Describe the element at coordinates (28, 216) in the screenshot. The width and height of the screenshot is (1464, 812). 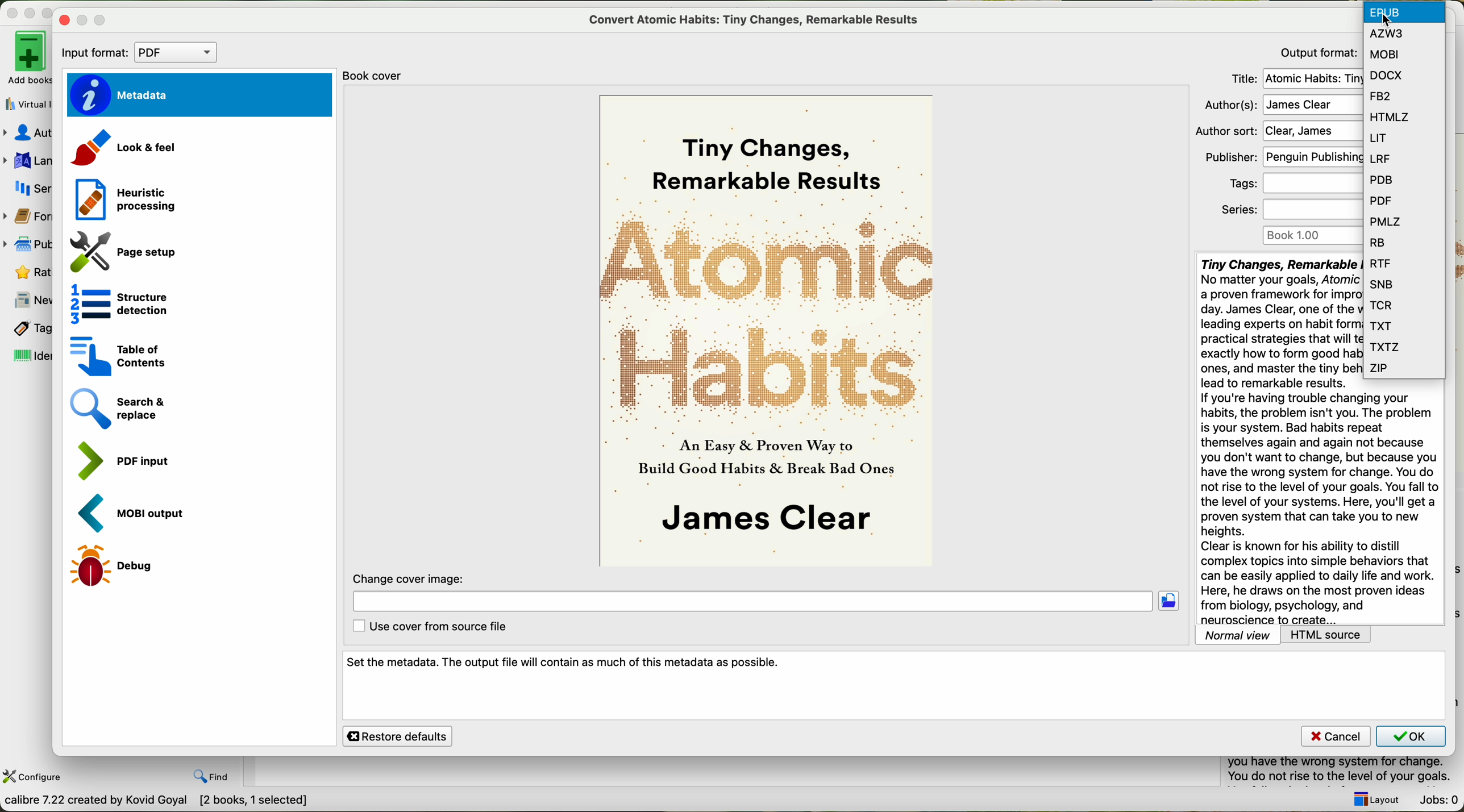
I see `formats` at that location.